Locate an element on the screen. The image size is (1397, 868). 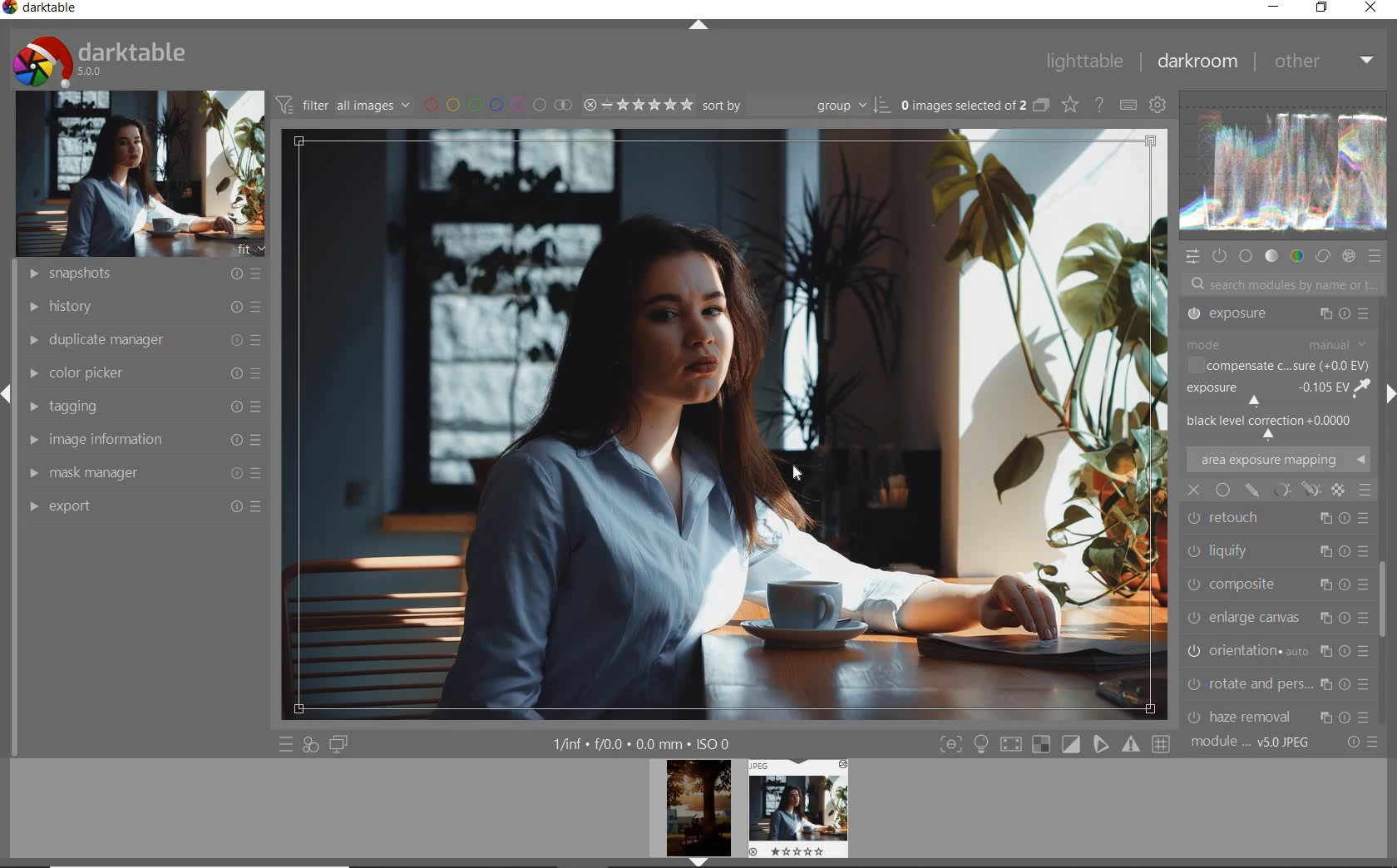
QUICK ACCESS FOR APPLYING ANY OF YOUR STYLES is located at coordinates (311, 745).